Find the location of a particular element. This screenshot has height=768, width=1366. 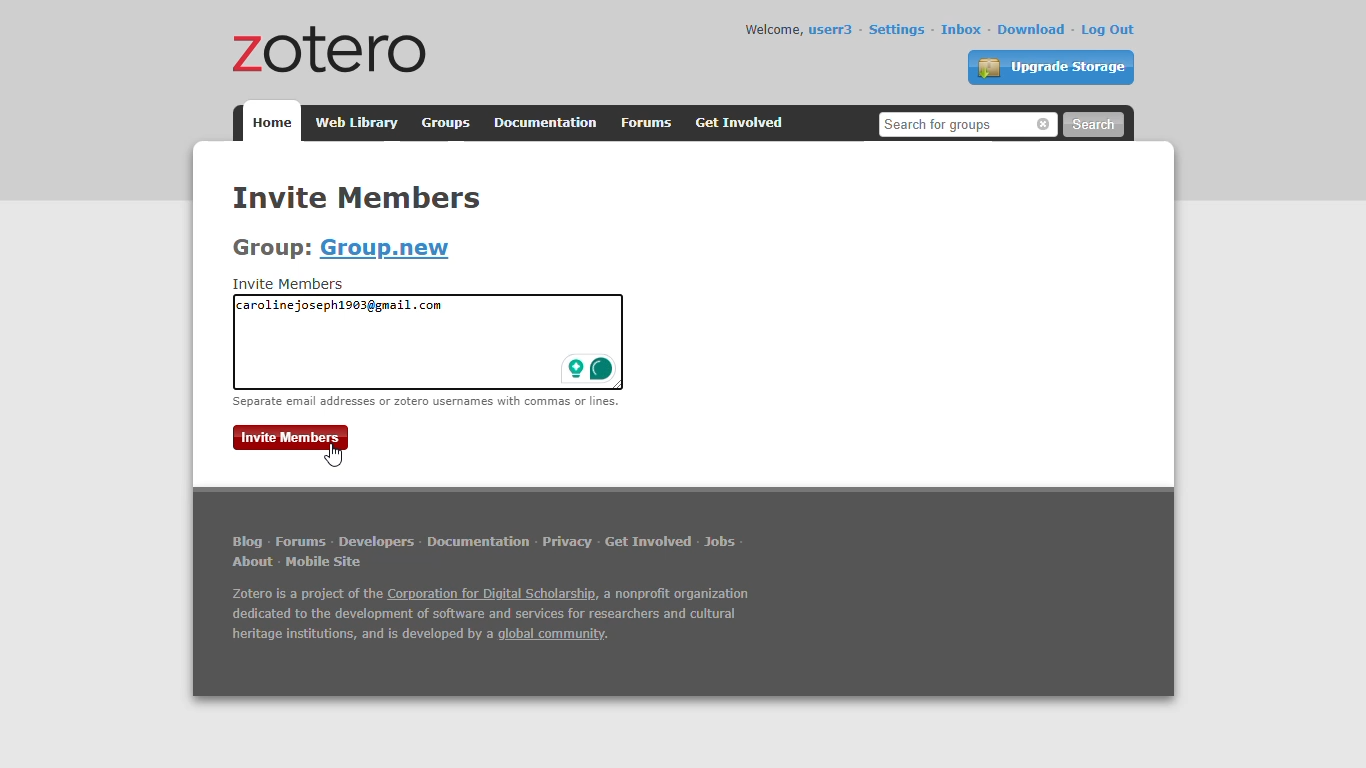

invite members is located at coordinates (357, 196).